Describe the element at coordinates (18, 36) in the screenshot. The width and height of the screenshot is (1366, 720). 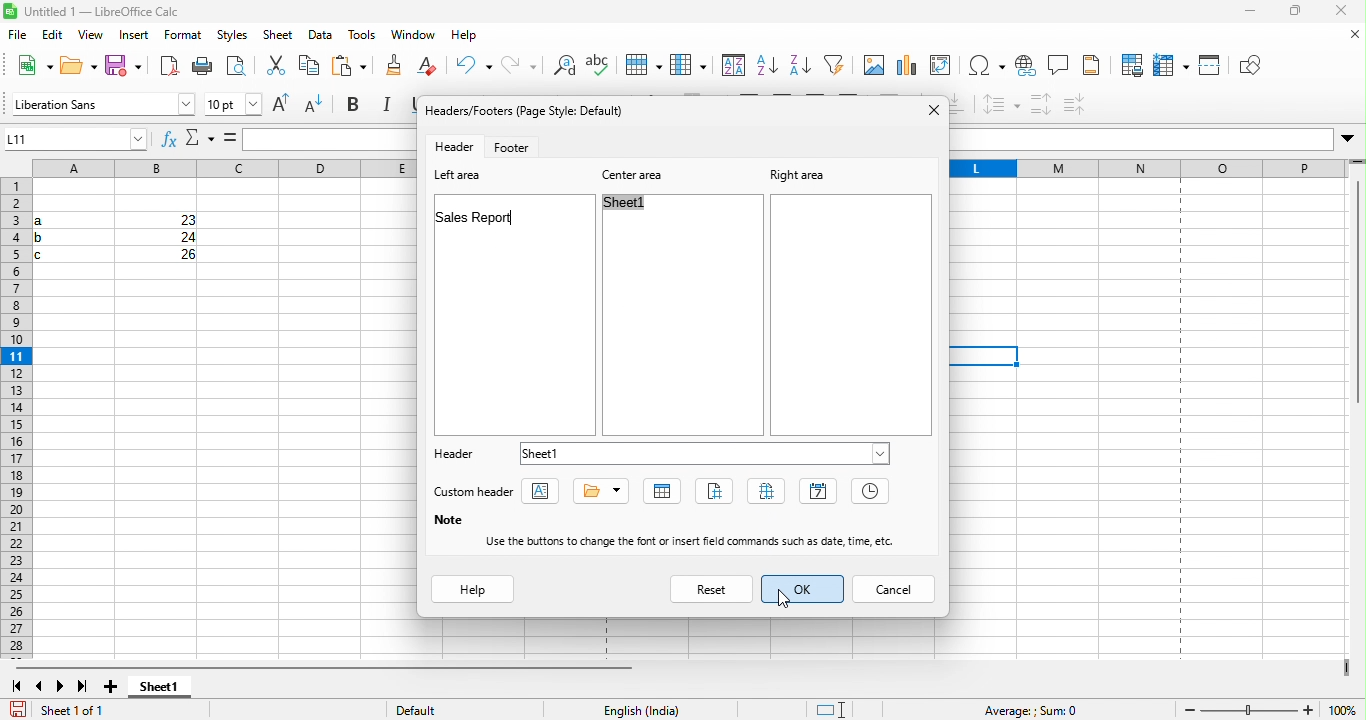
I see `file` at that location.